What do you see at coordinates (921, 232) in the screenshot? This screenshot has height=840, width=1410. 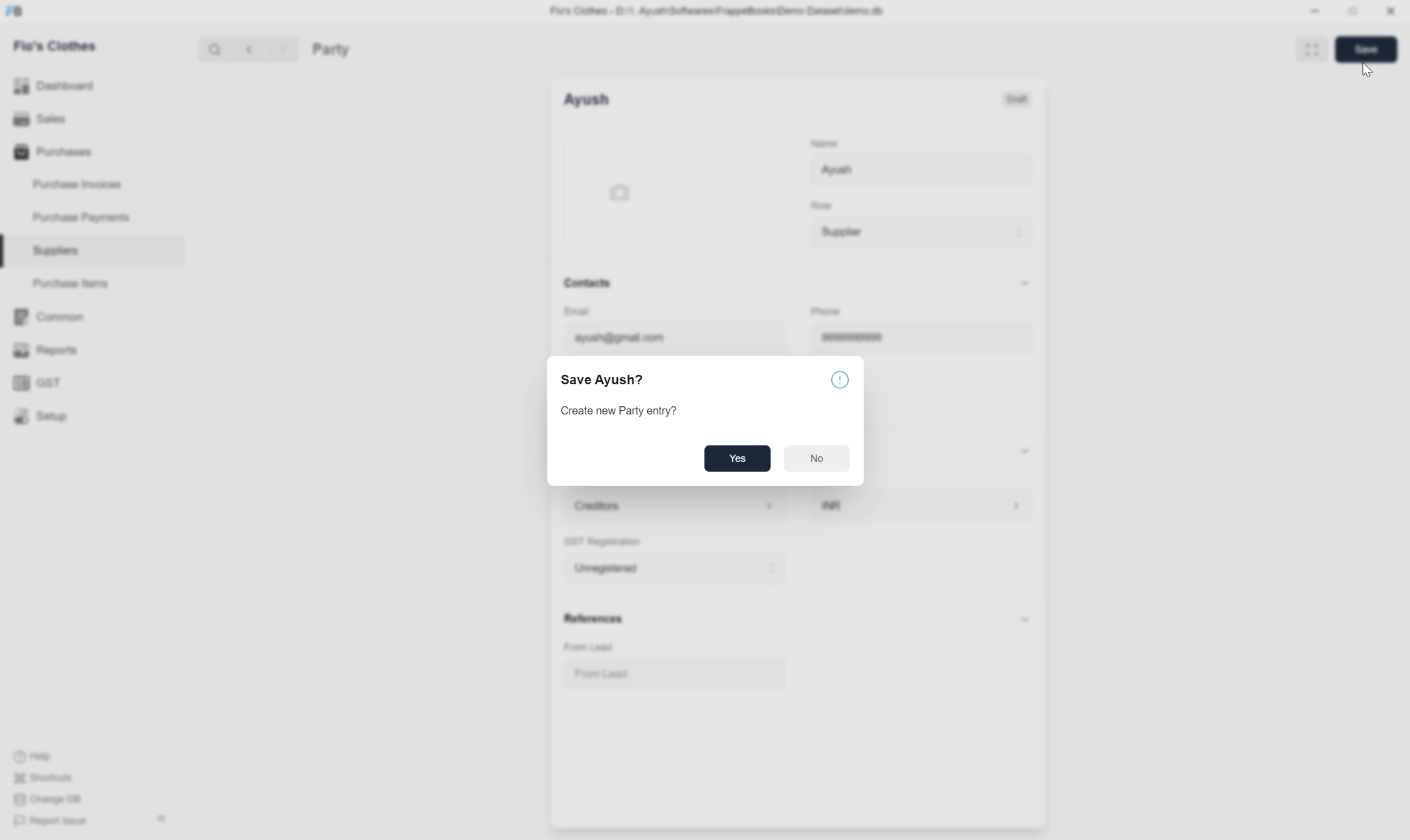 I see `Supplier` at bounding box center [921, 232].